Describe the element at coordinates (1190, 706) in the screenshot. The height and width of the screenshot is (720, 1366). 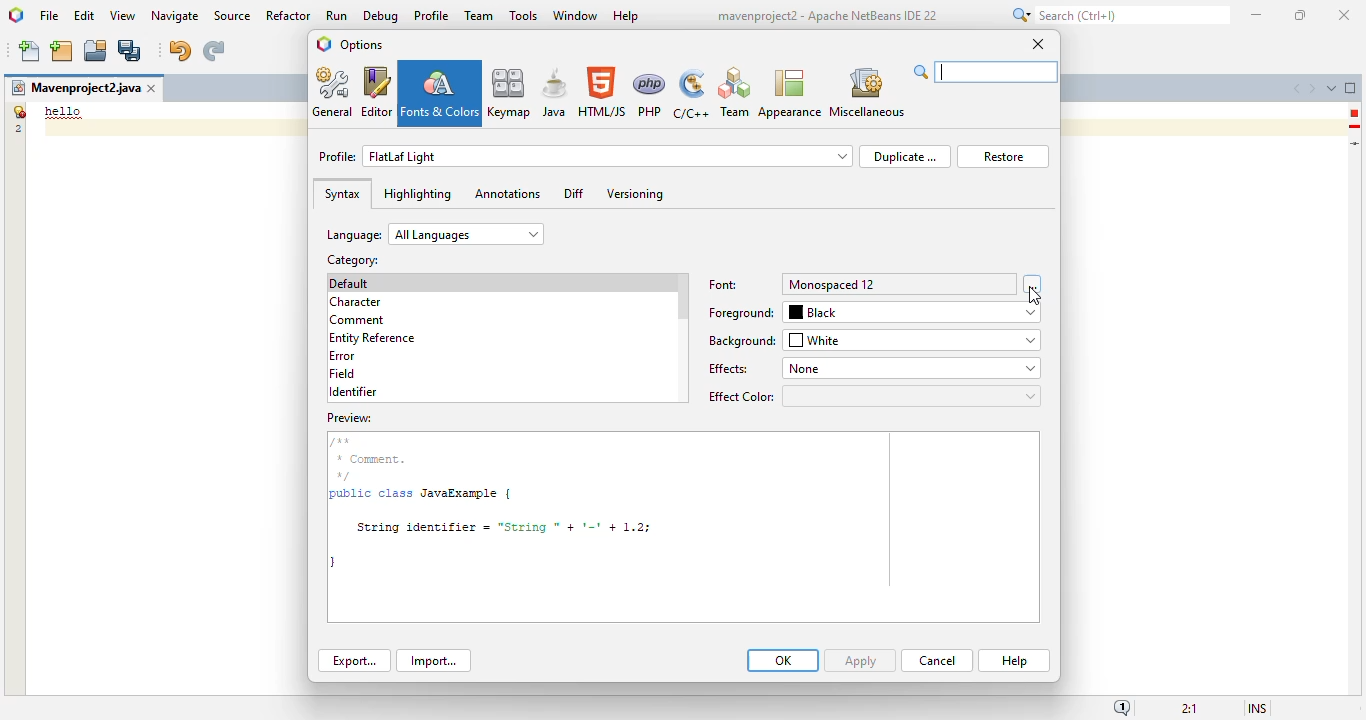
I see `magnification ratio` at that location.